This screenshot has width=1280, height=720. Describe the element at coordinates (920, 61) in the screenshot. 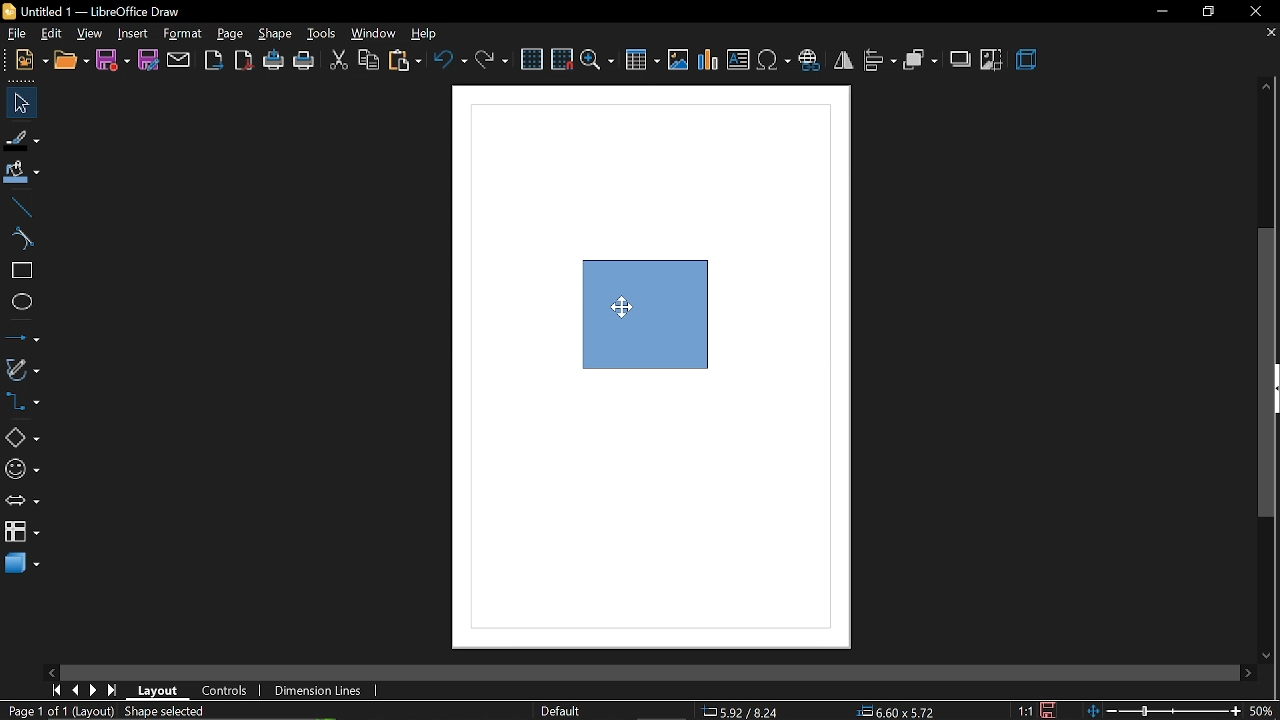

I see `arrange` at that location.